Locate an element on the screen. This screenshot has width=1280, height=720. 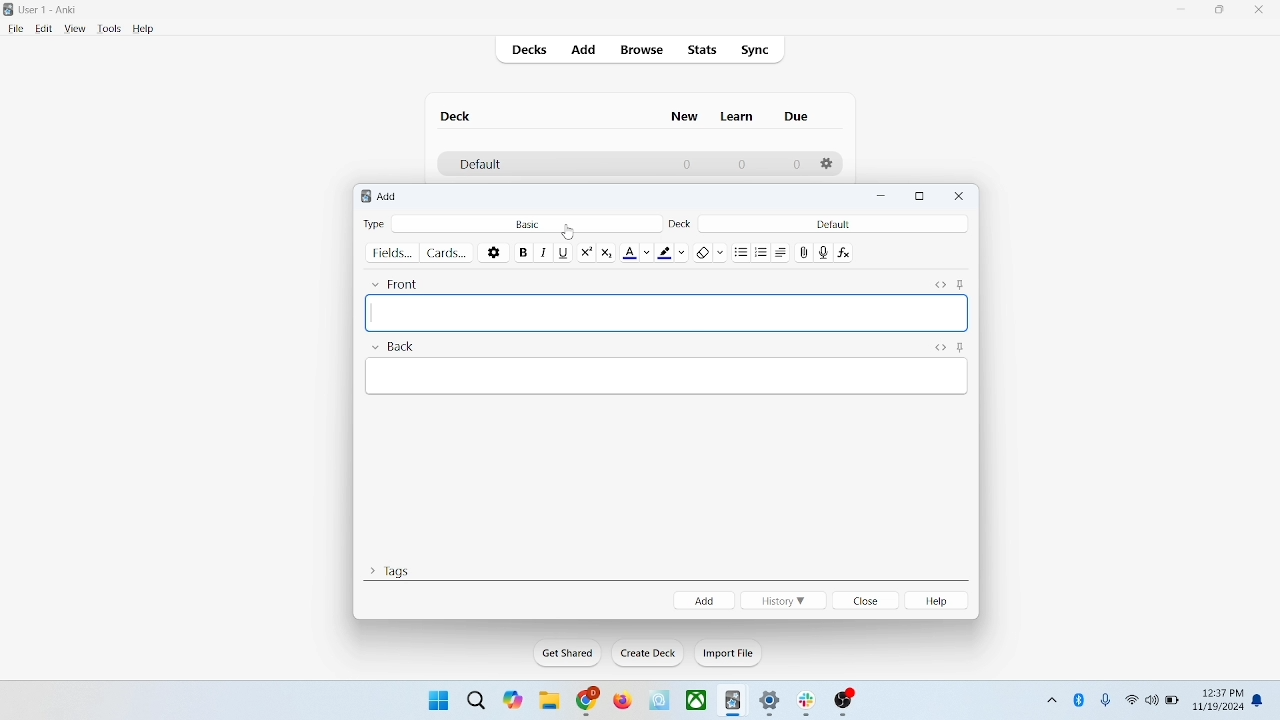
underline is located at coordinates (563, 253).